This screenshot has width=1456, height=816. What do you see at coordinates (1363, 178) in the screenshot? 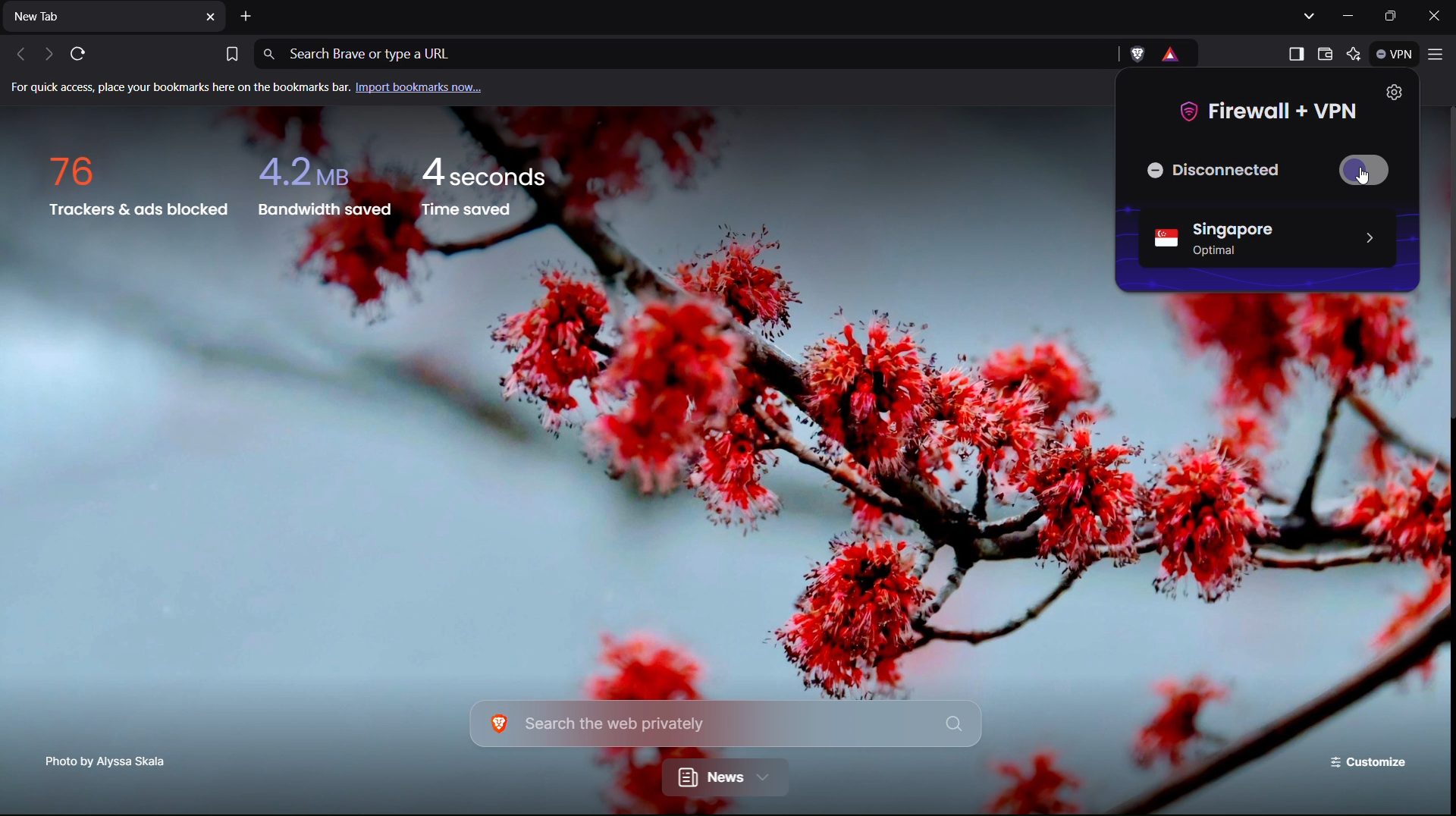
I see `` at bounding box center [1363, 178].